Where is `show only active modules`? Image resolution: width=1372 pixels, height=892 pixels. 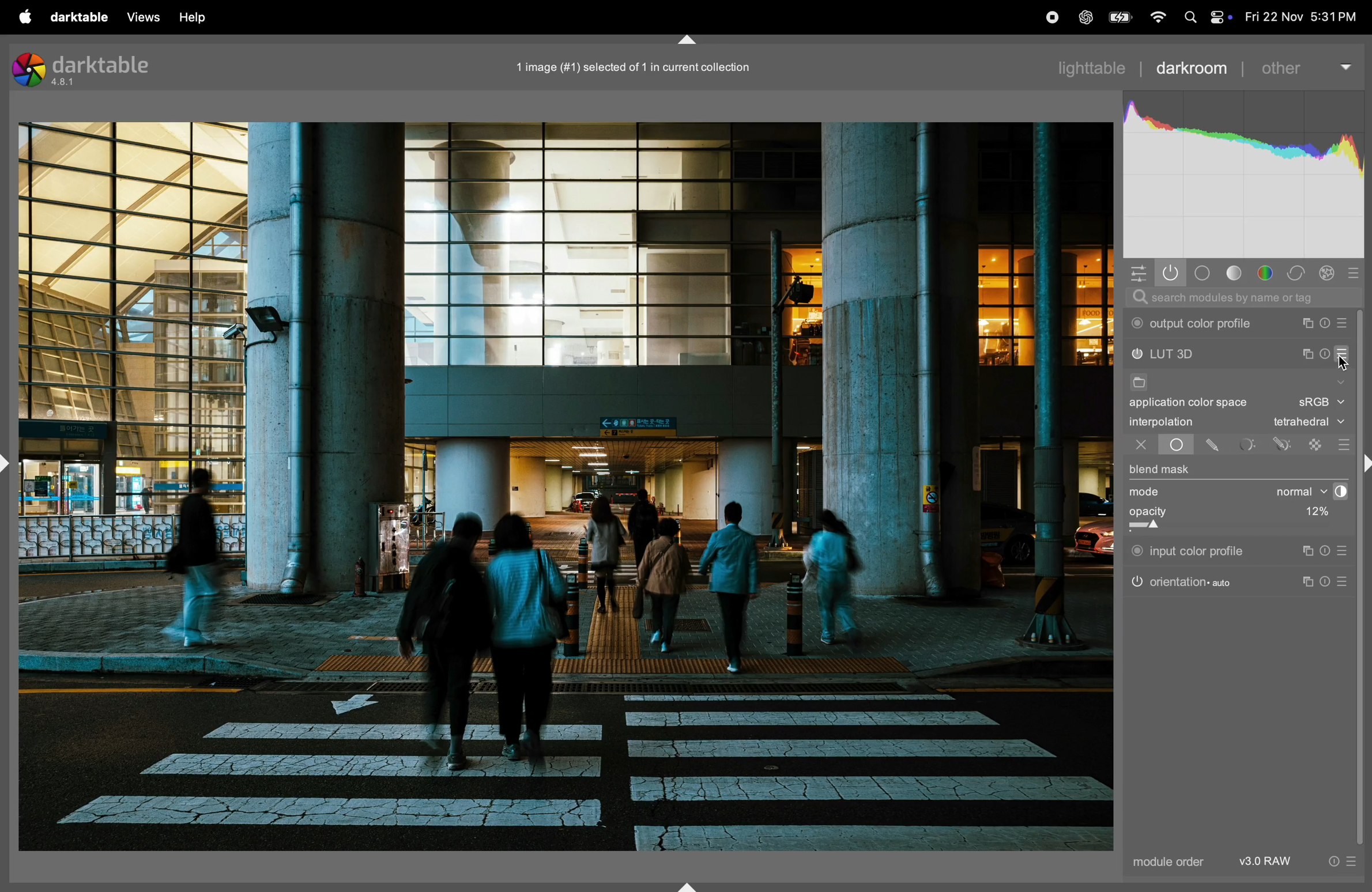
show only active modules is located at coordinates (1171, 273).